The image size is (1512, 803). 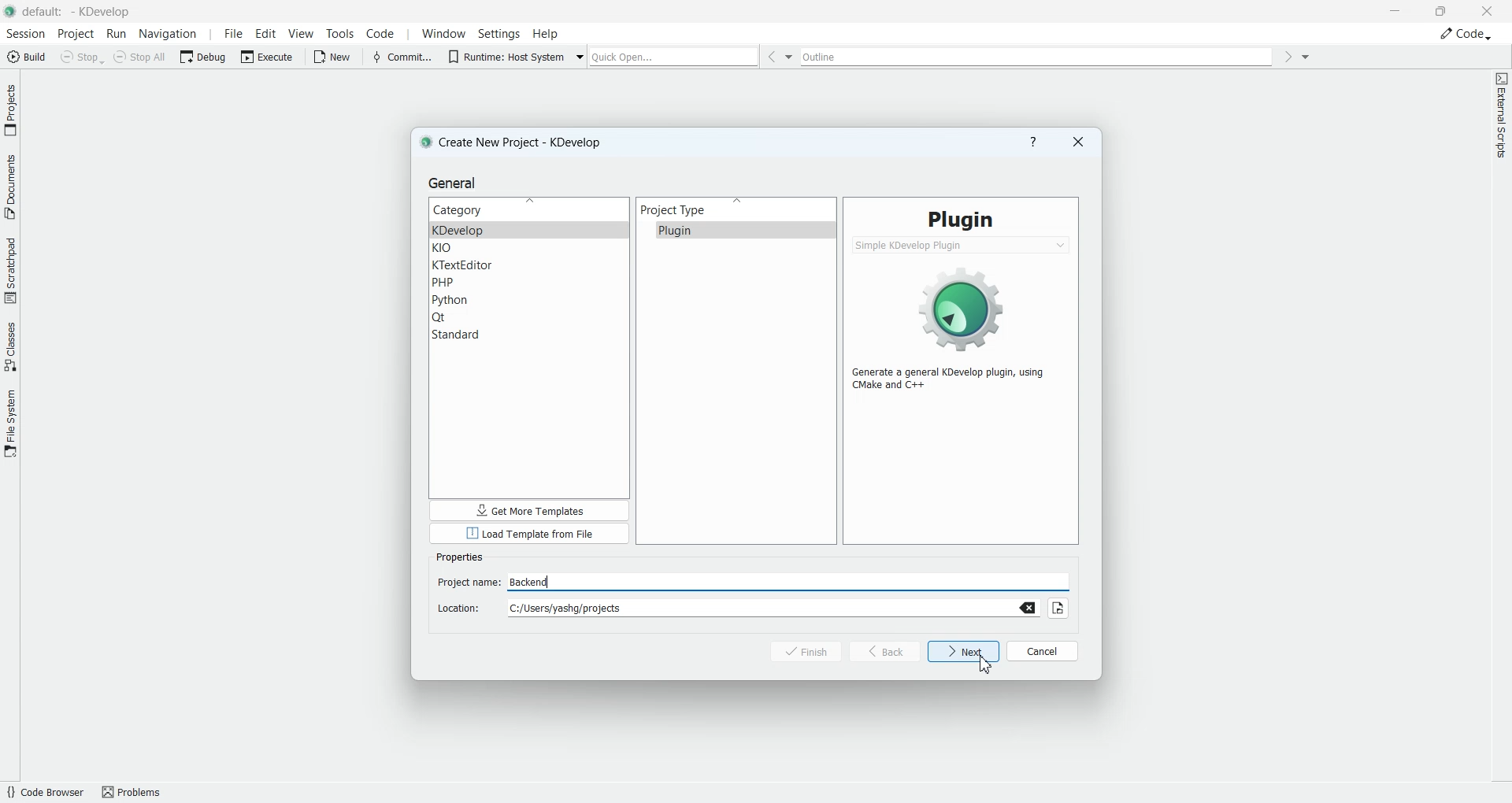 I want to click on Window, so click(x=441, y=34).